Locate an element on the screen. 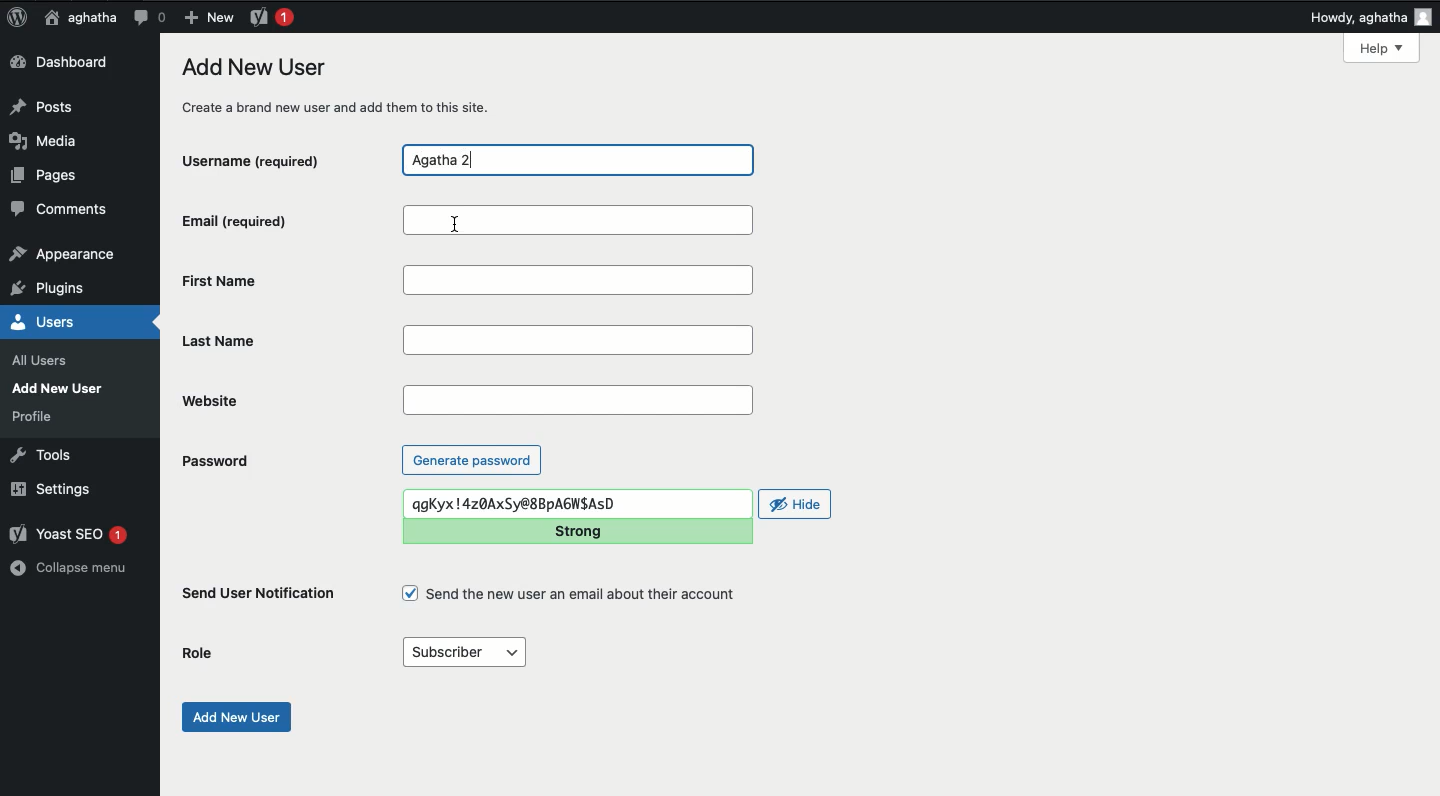 This screenshot has width=1440, height=796. New is located at coordinates (208, 16).